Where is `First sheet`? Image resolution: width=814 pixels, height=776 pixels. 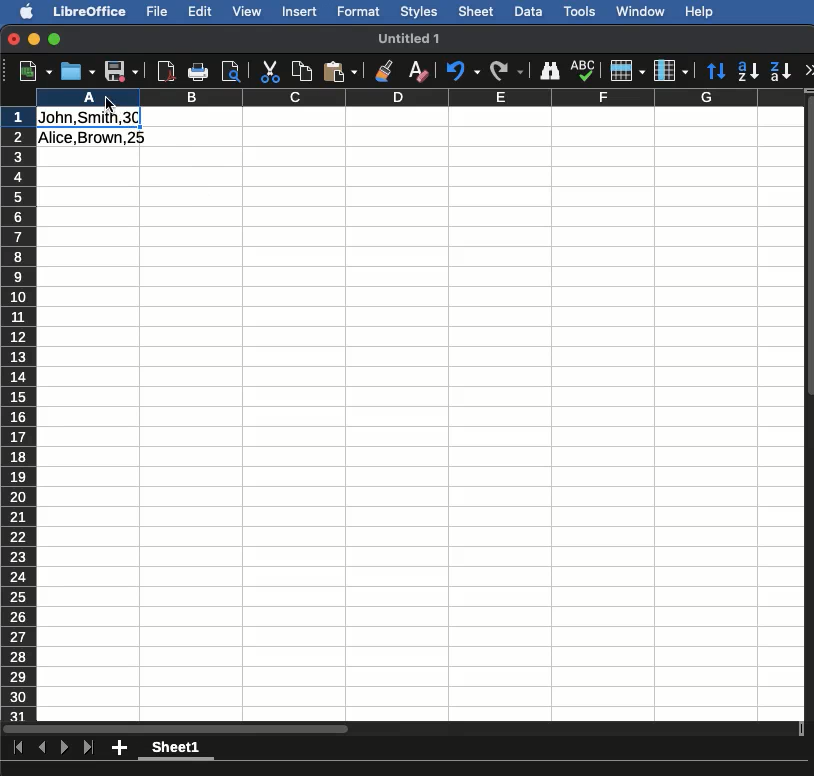
First sheet is located at coordinates (20, 747).